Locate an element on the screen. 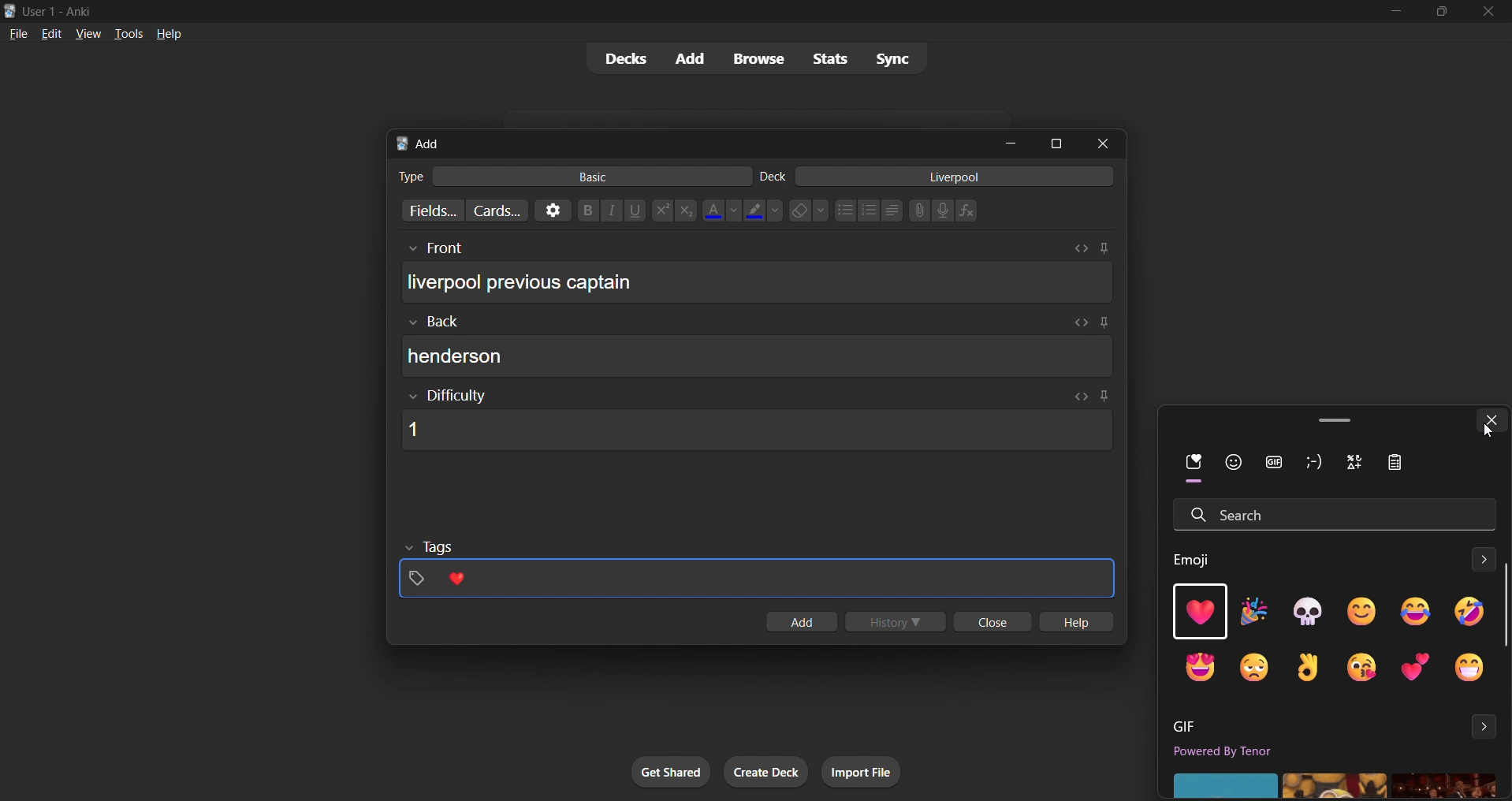 The image size is (1512, 801). emoji is located at coordinates (1263, 665).